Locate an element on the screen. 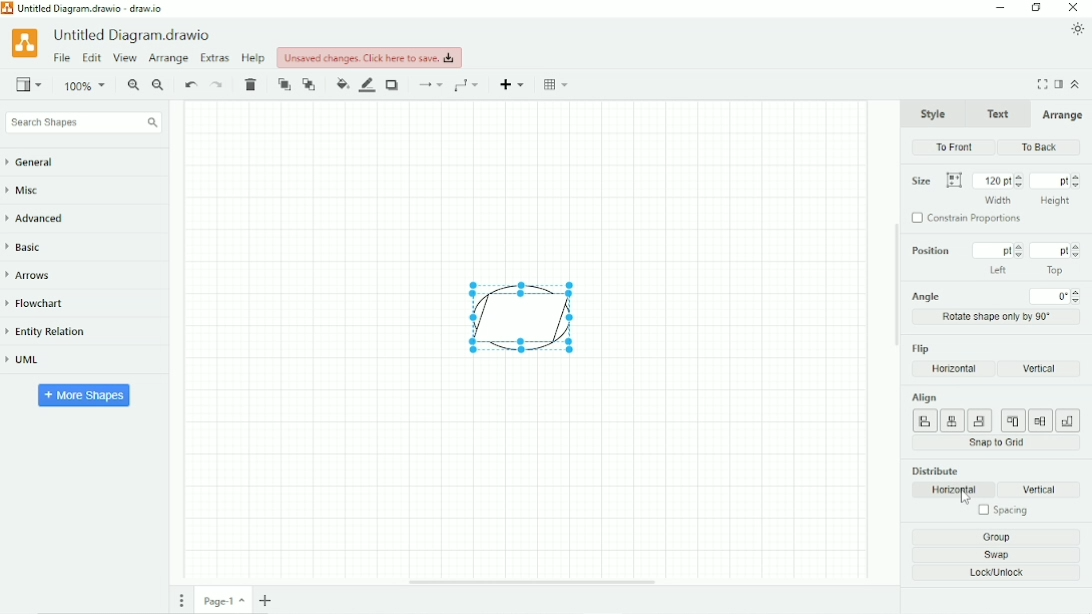 Image resolution: width=1092 pixels, height=614 pixels. Pages is located at coordinates (182, 600).